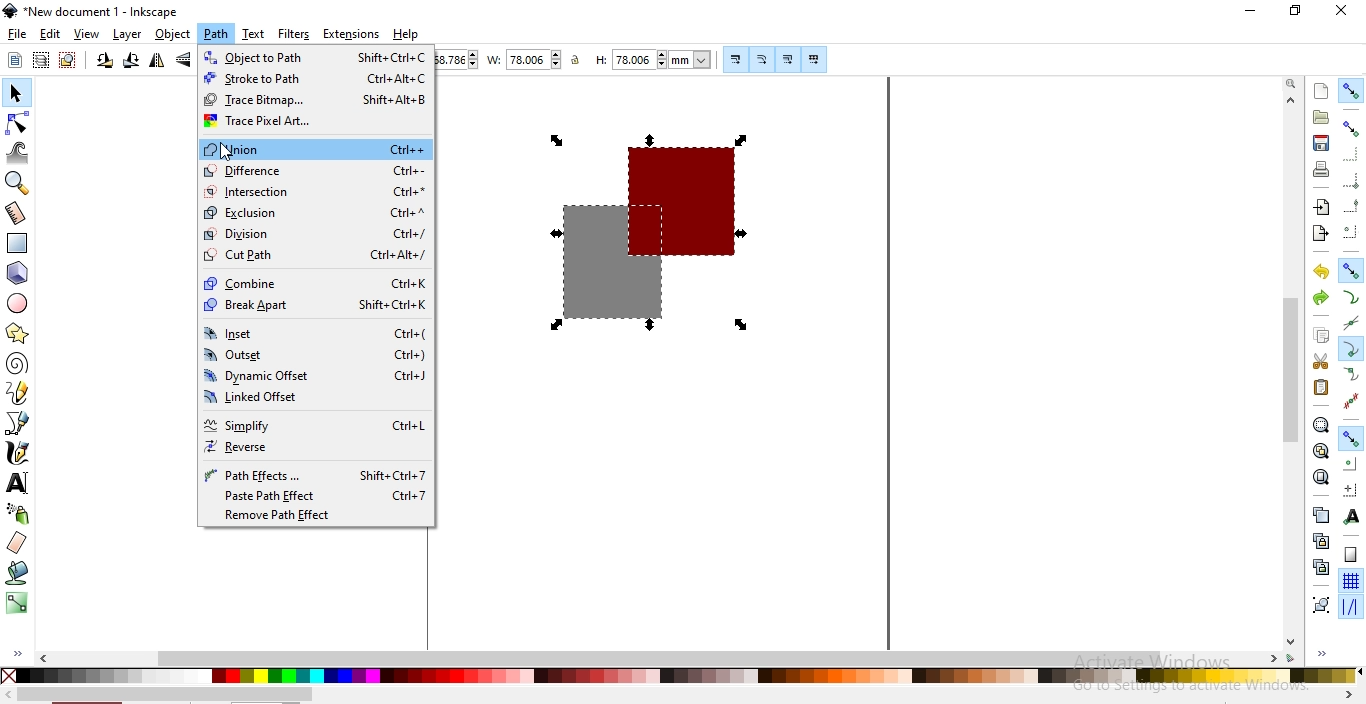 This screenshot has height=704, width=1366. I want to click on create bezier curve and straight lines, so click(18, 422).